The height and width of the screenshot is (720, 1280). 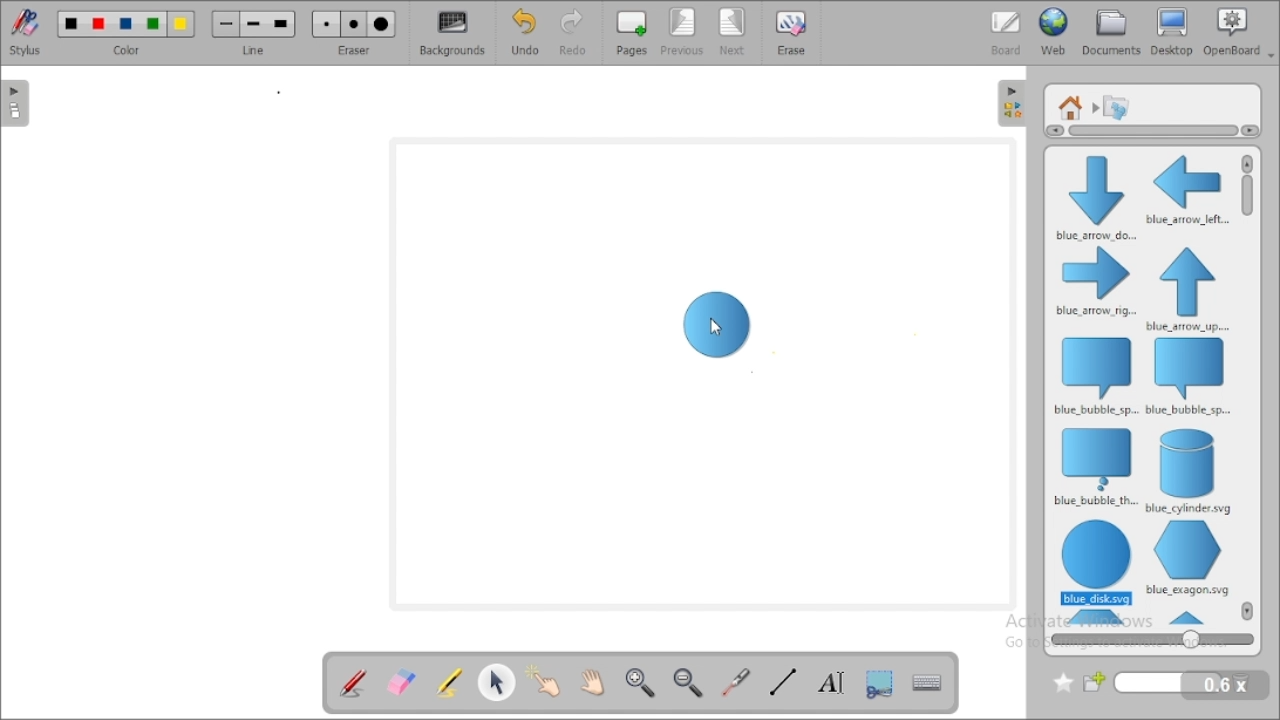 What do you see at coordinates (1154, 683) in the screenshot?
I see `new folder` at bounding box center [1154, 683].